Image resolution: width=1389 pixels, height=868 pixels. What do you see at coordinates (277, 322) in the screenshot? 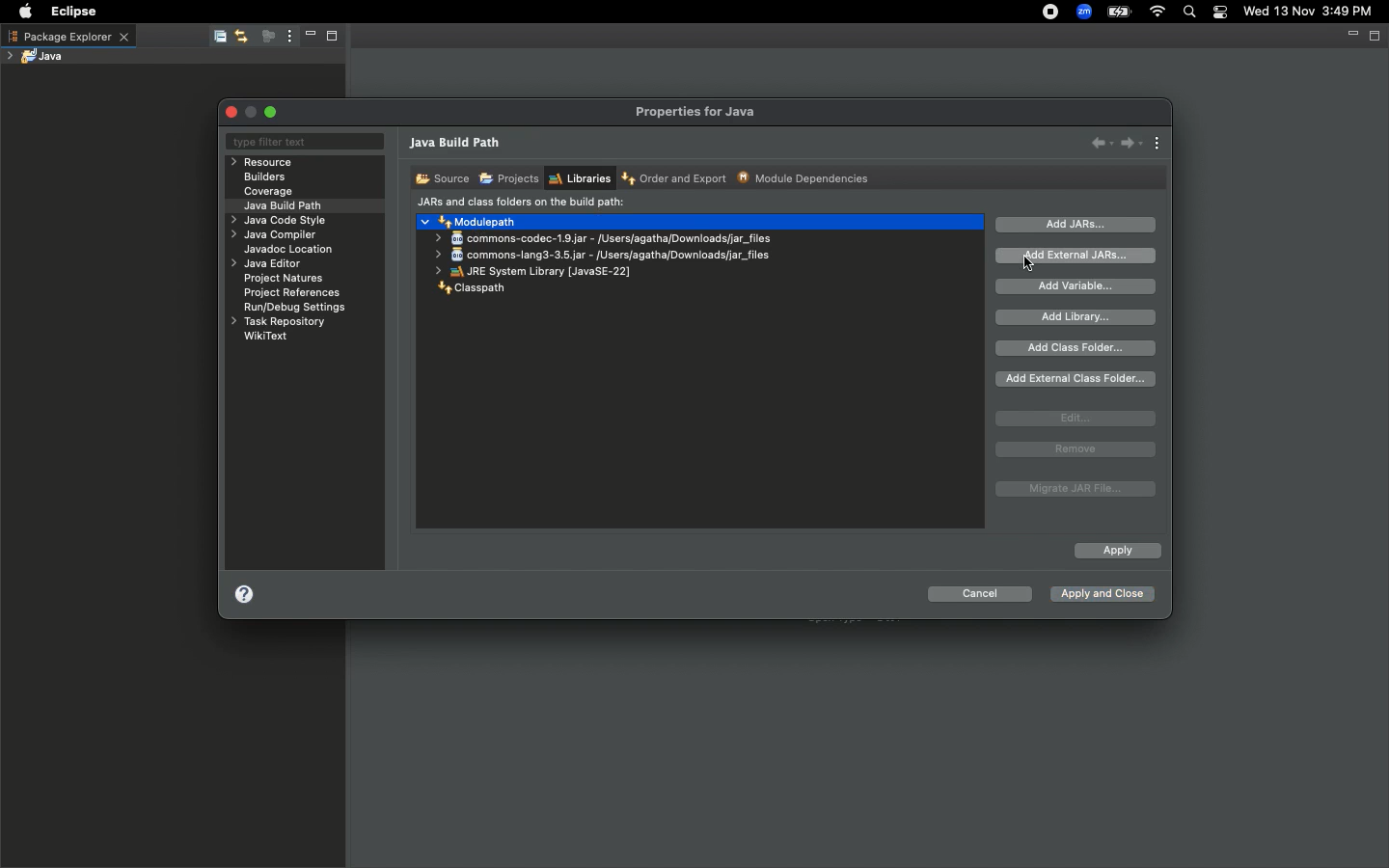
I see `Task repository` at bounding box center [277, 322].